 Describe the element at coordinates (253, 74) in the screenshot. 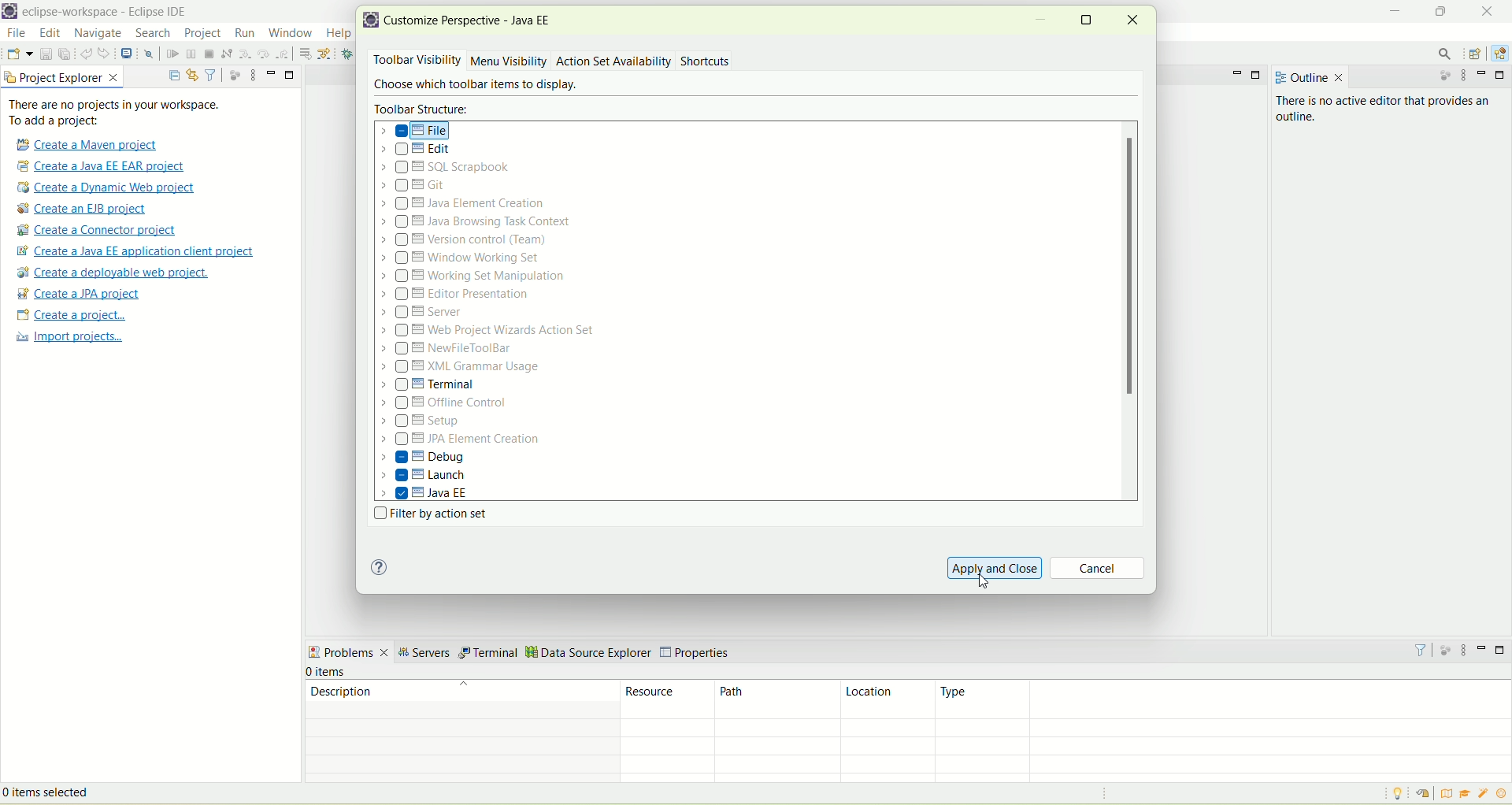

I see `view menu` at that location.